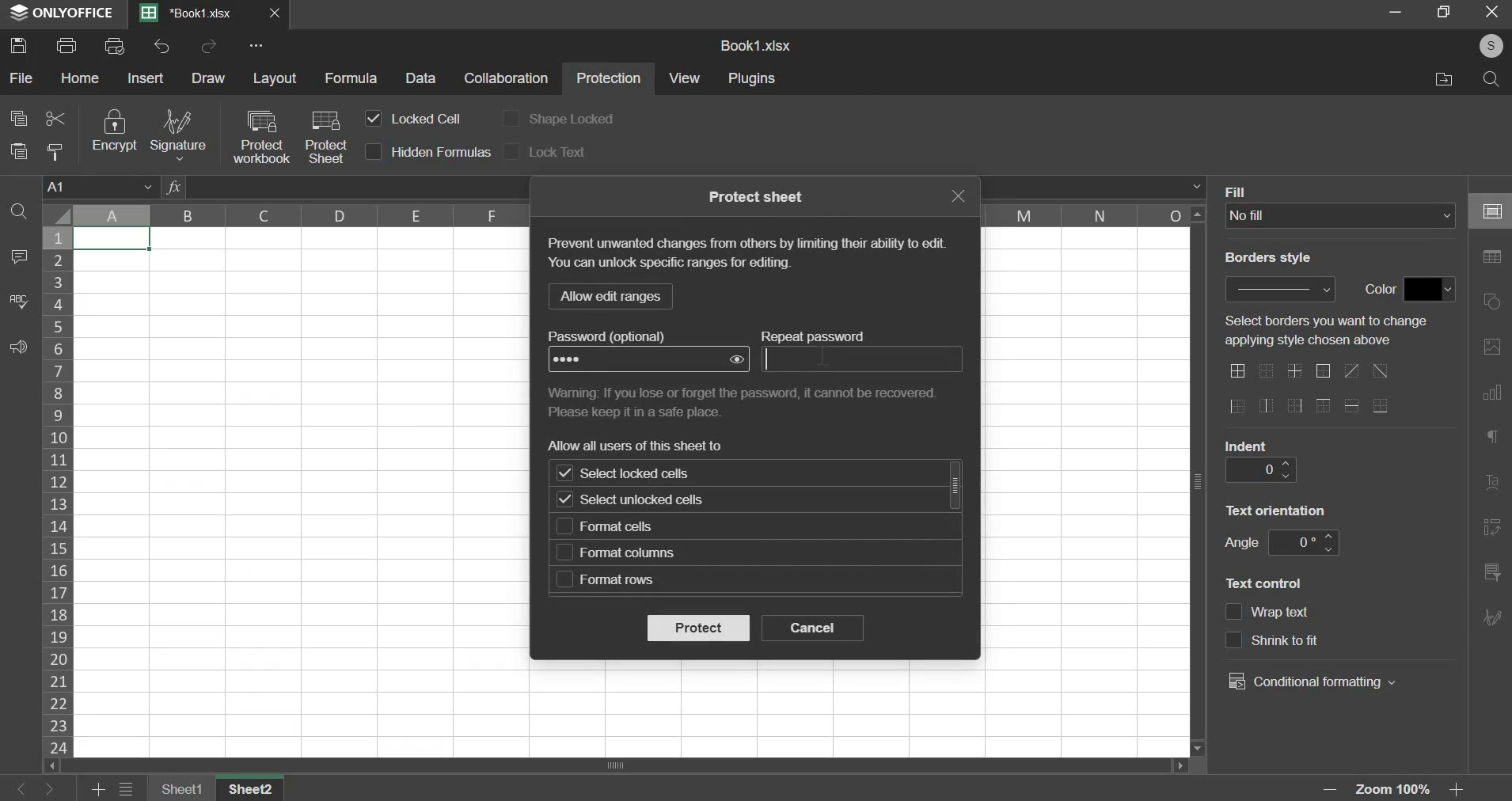 The height and width of the screenshot is (801, 1512). What do you see at coordinates (1440, 79) in the screenshot?
I see `File` at bounding box center [1440, 79].